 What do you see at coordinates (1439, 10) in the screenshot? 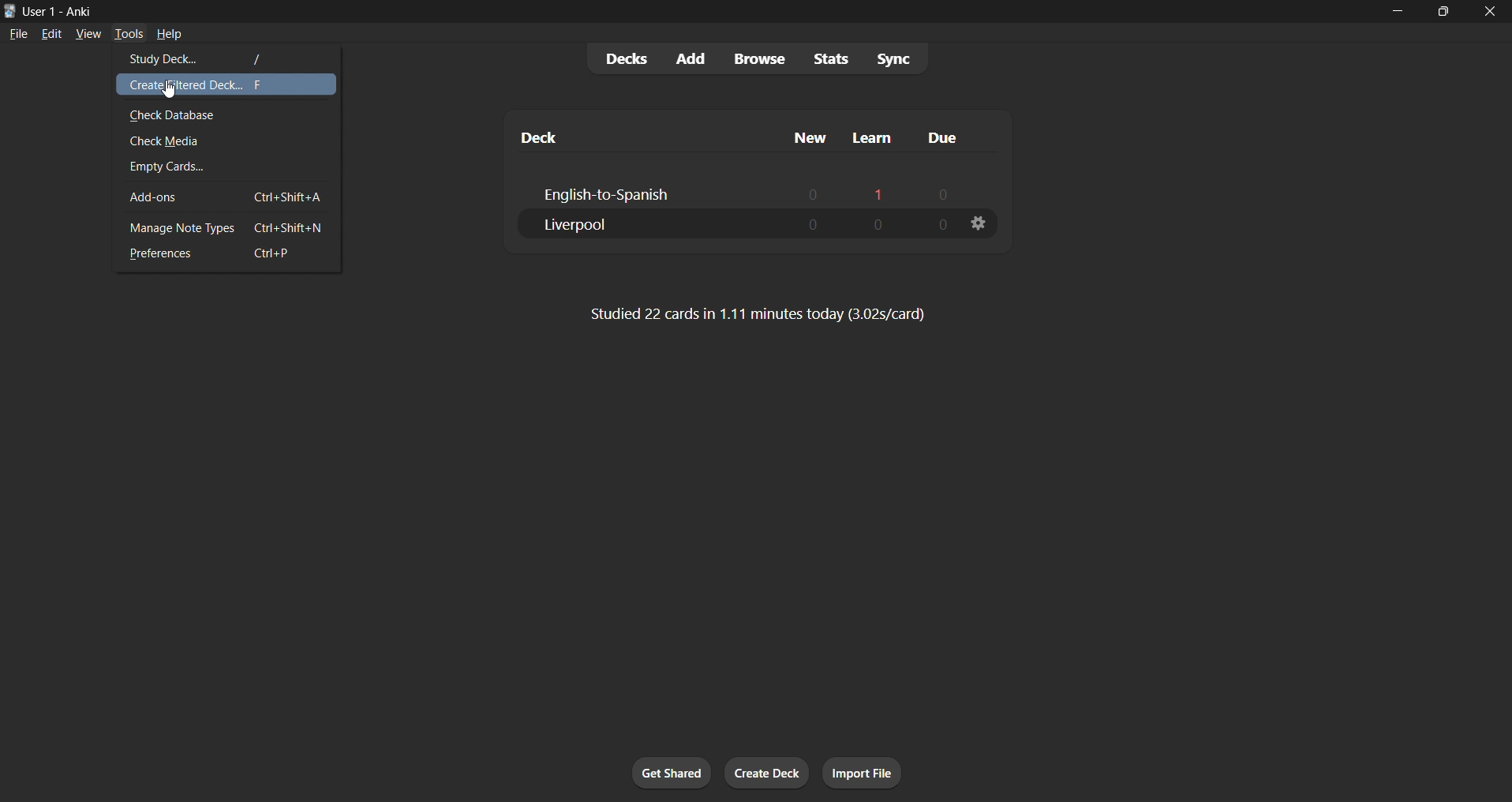
I see `maximize/restore` at bounding box center [1439, 10].